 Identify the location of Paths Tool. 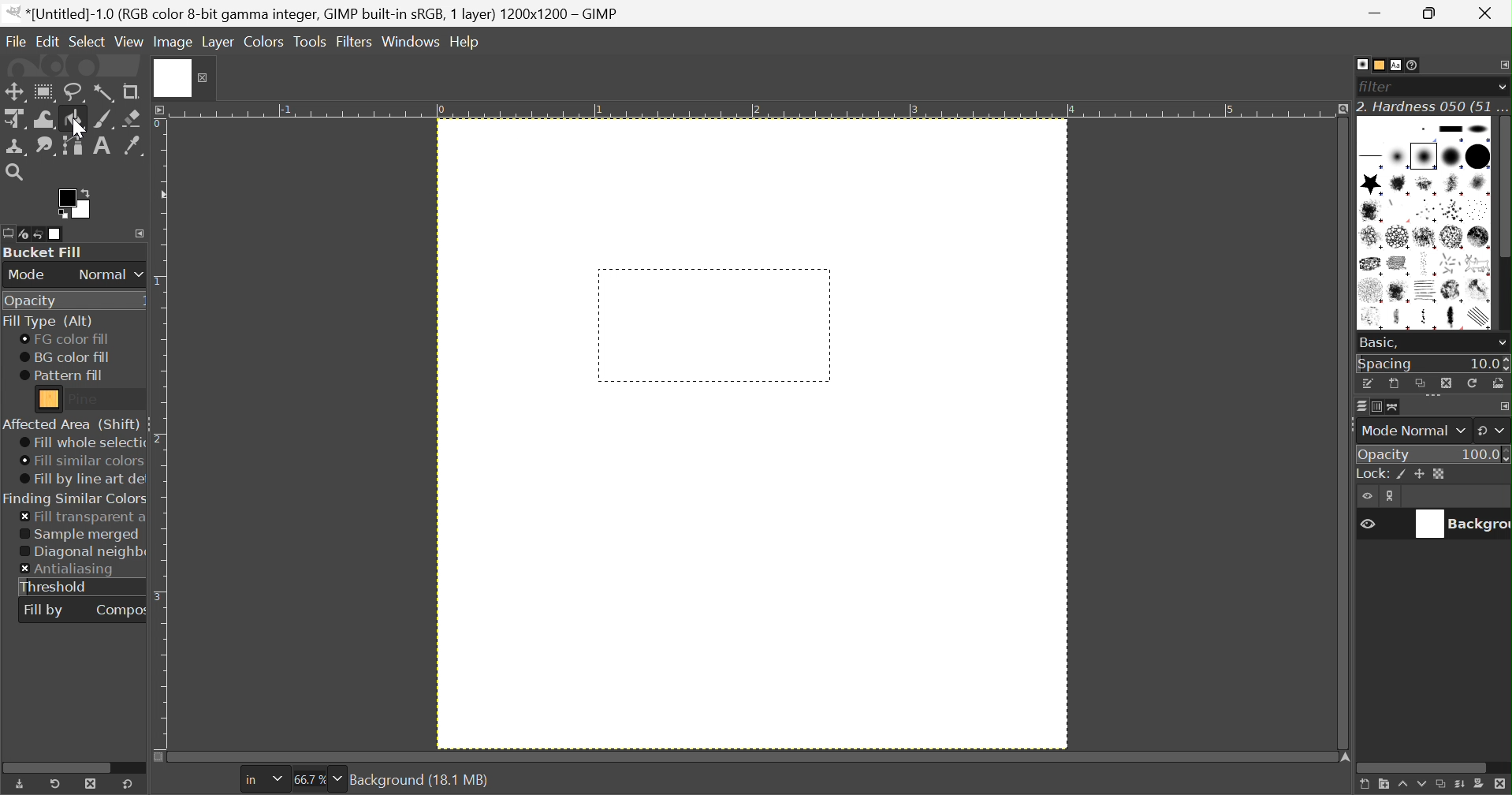
(71, 146).